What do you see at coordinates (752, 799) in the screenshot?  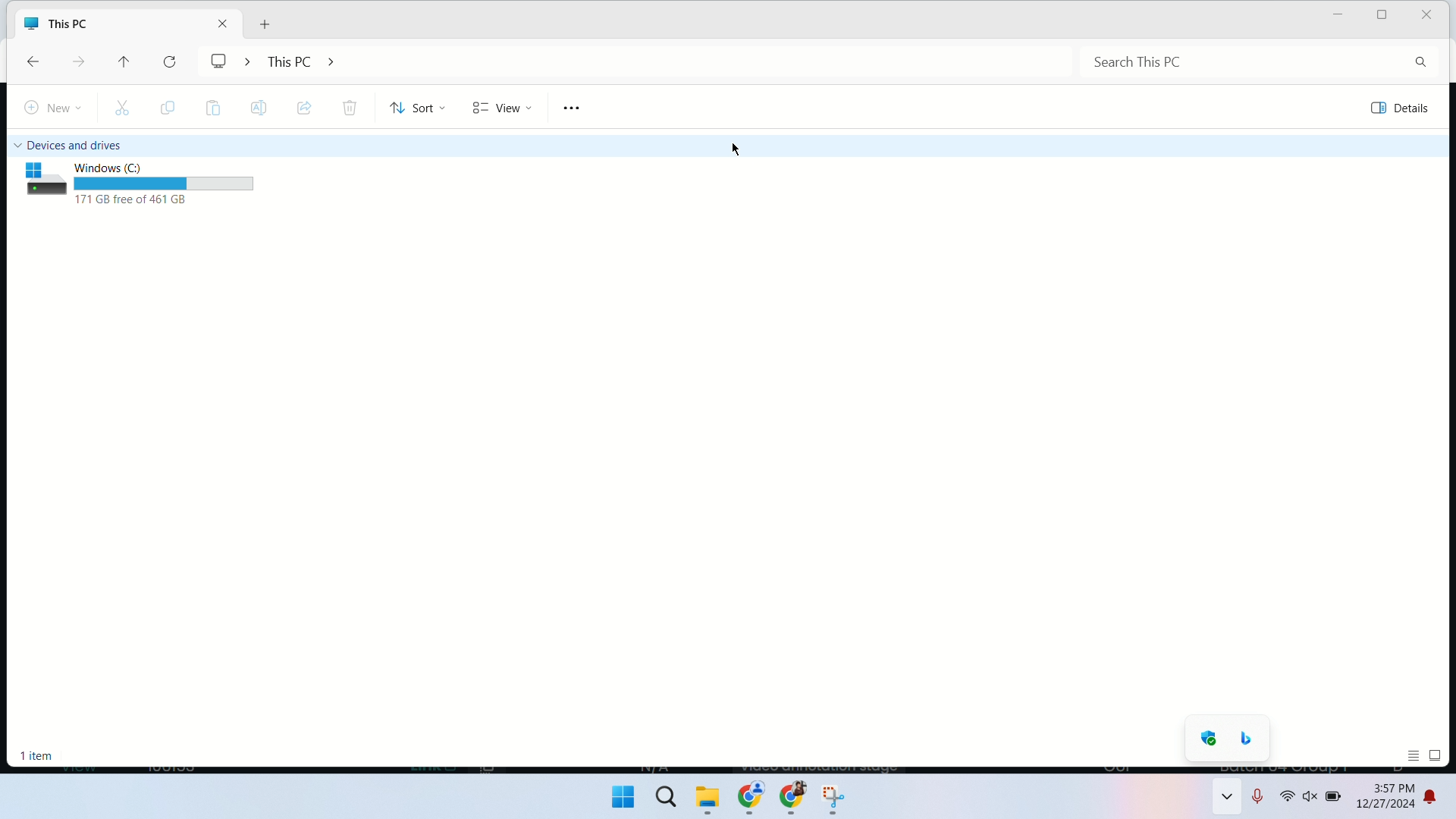 I see `chrome` at bounding box center [752, 799].